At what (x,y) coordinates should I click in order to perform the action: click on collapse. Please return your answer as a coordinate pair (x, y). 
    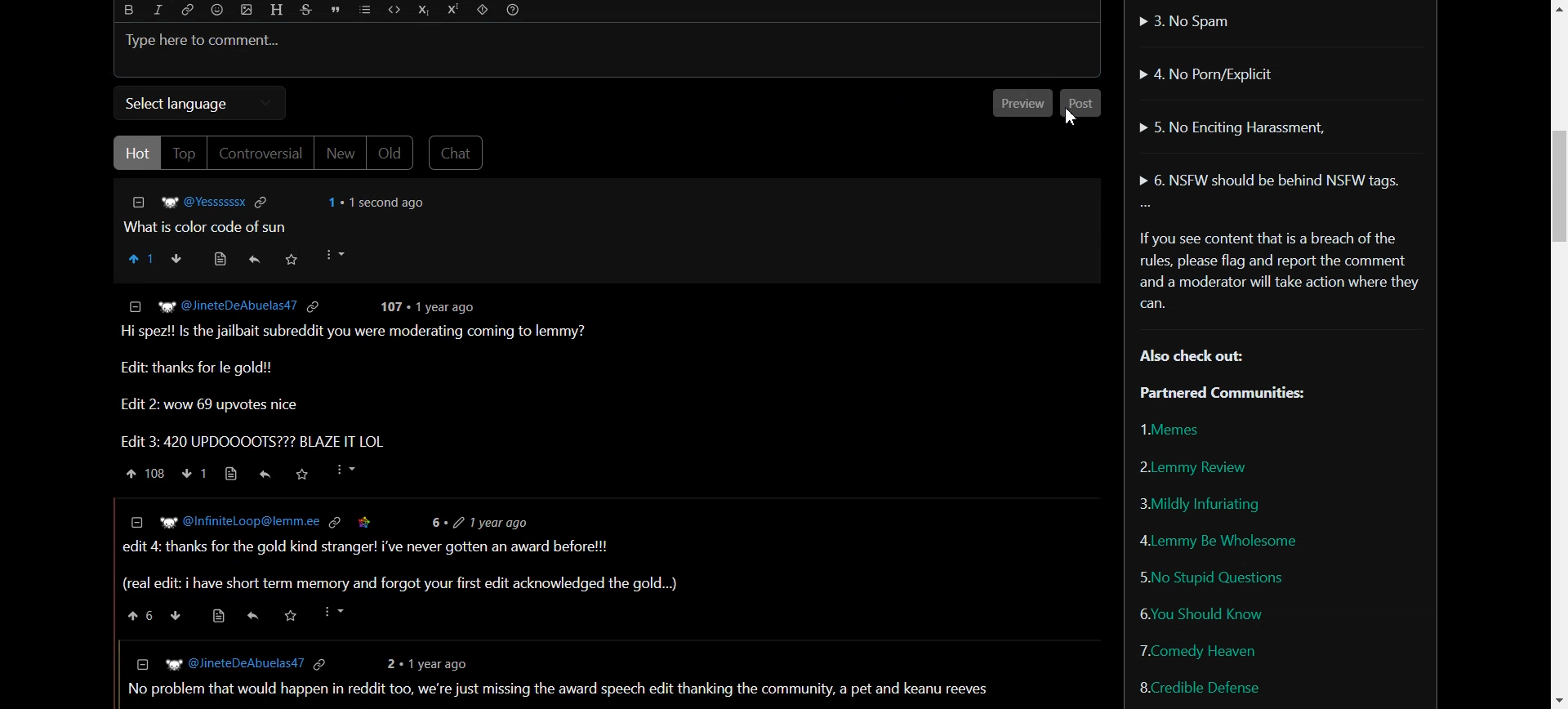
    Looking at the image, I should click on (136, 305).